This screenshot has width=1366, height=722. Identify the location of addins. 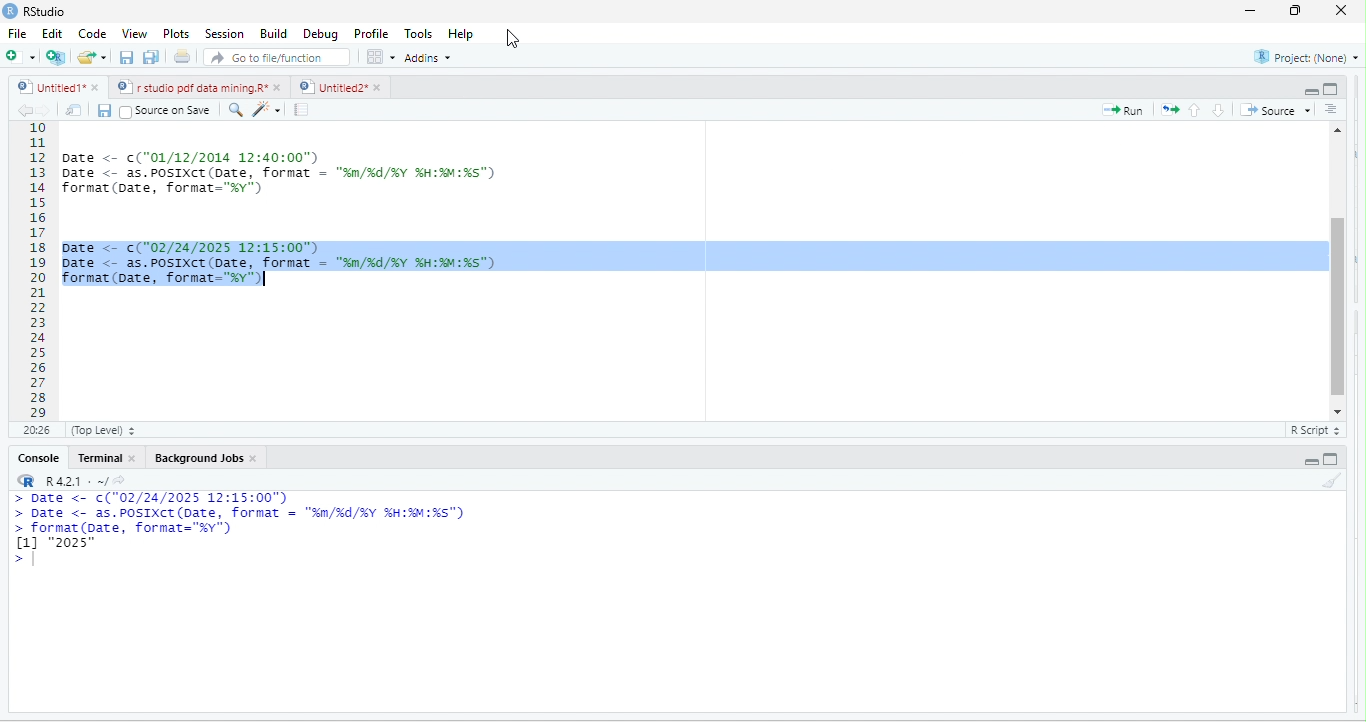
(427, 58).